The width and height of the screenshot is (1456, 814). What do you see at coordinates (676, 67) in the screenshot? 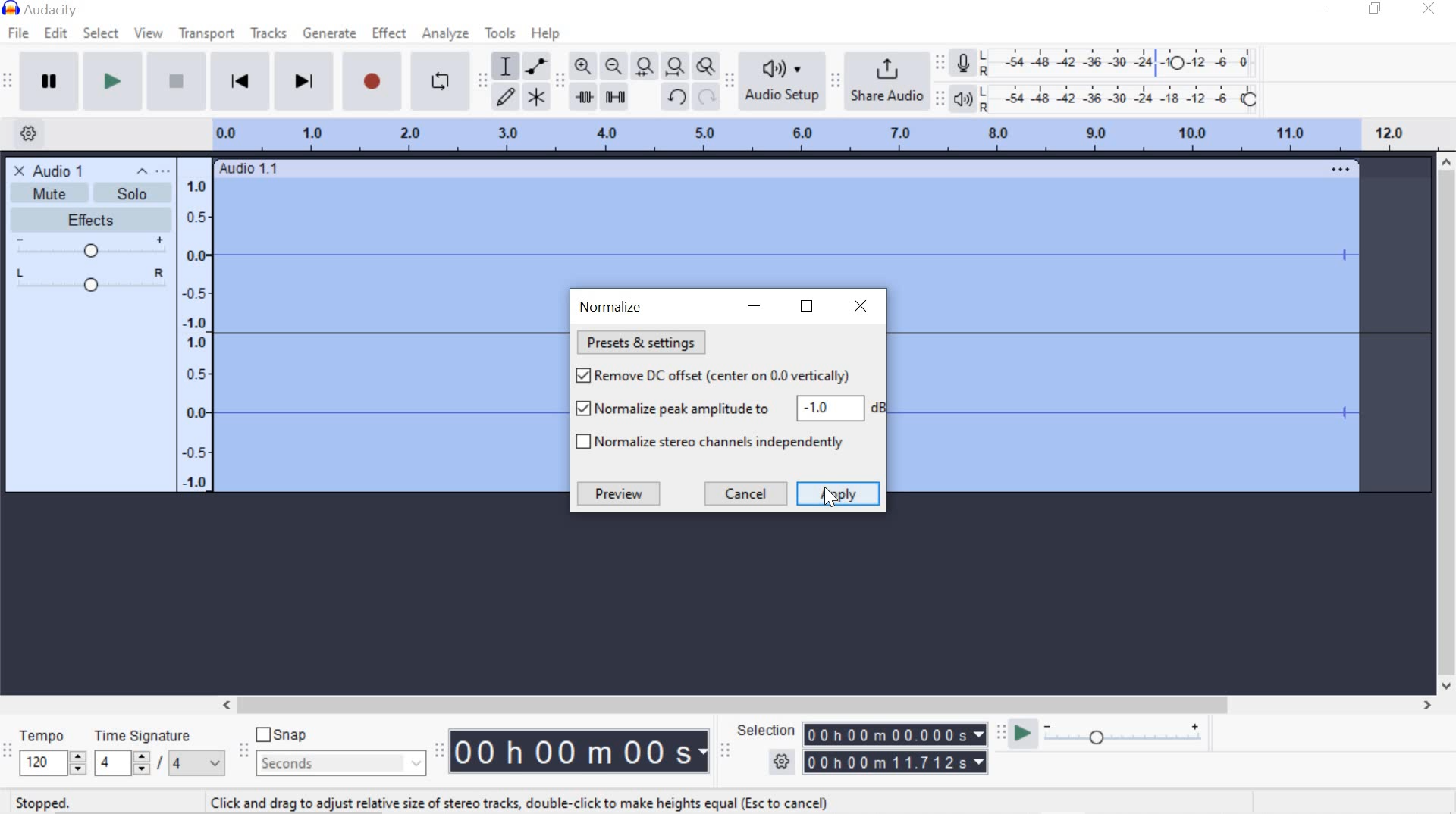
I see `Fit project to width` at bounding box center [676, 67].